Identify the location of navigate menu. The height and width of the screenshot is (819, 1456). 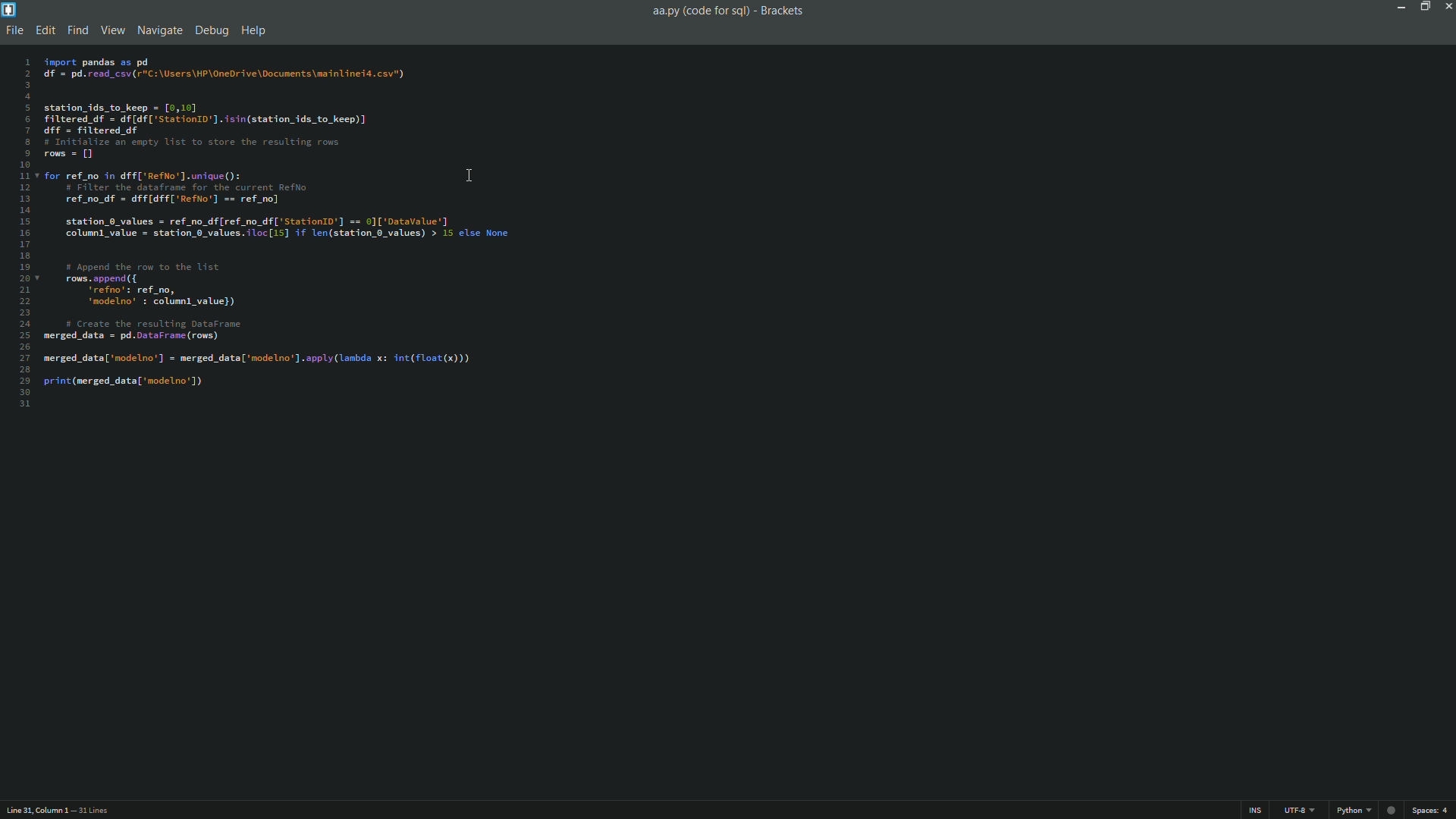
(160, 30).